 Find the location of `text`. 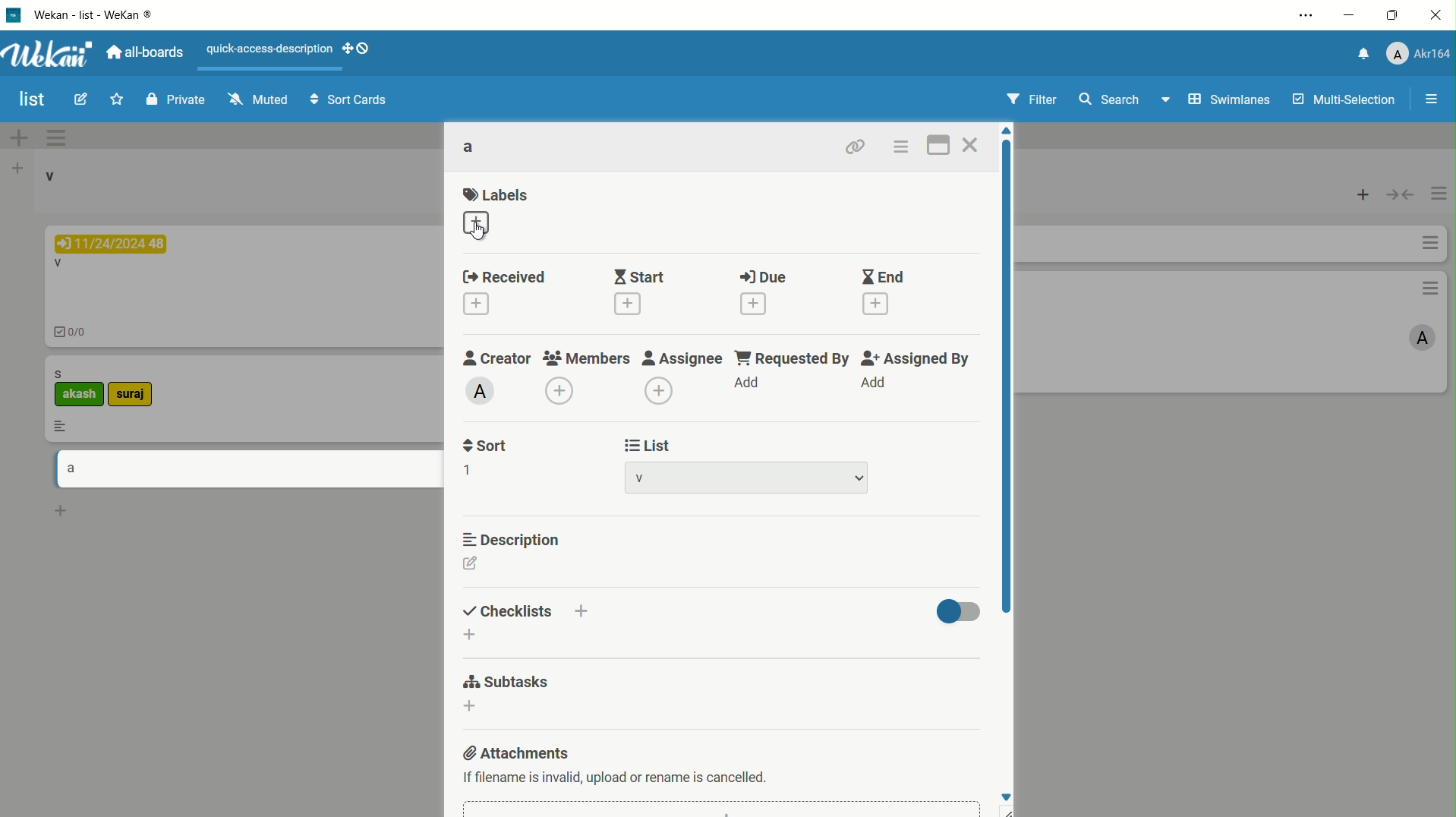

text is located at coordinates (617, 776).